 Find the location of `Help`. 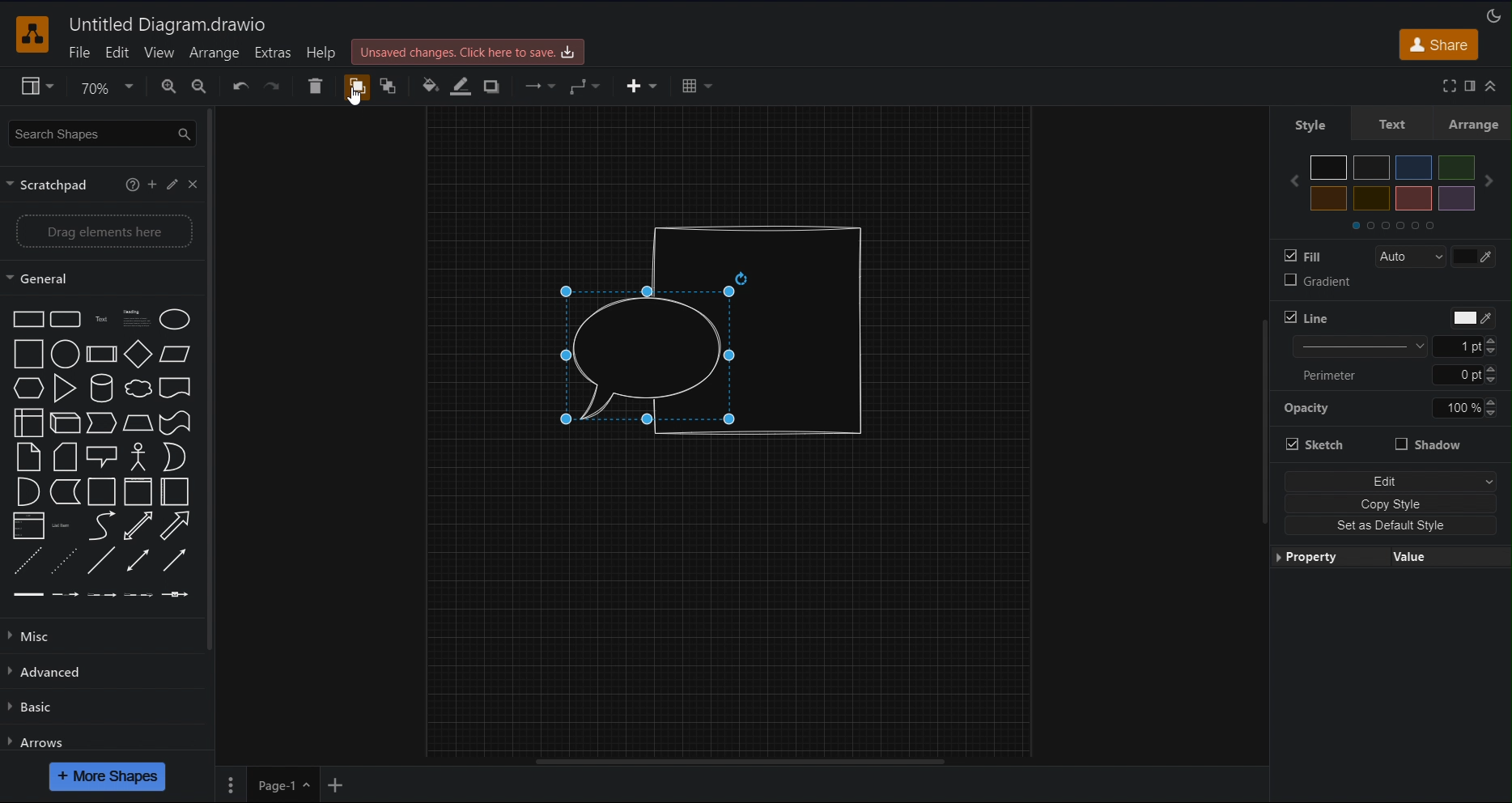

Help is located at coordinates (324, 52).